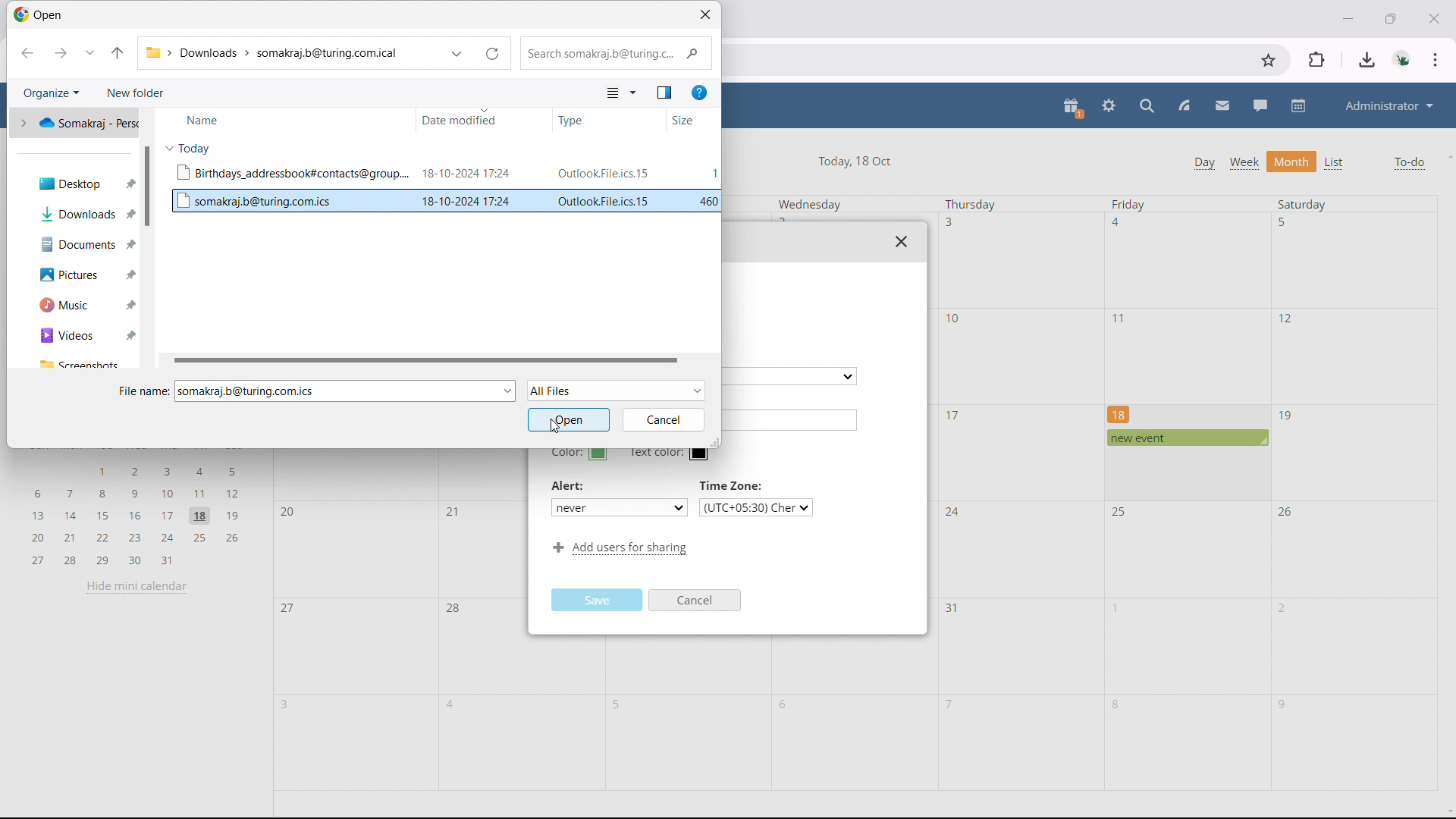 The image size is (1456, 819). I want to click on 7, so click(950, 703).